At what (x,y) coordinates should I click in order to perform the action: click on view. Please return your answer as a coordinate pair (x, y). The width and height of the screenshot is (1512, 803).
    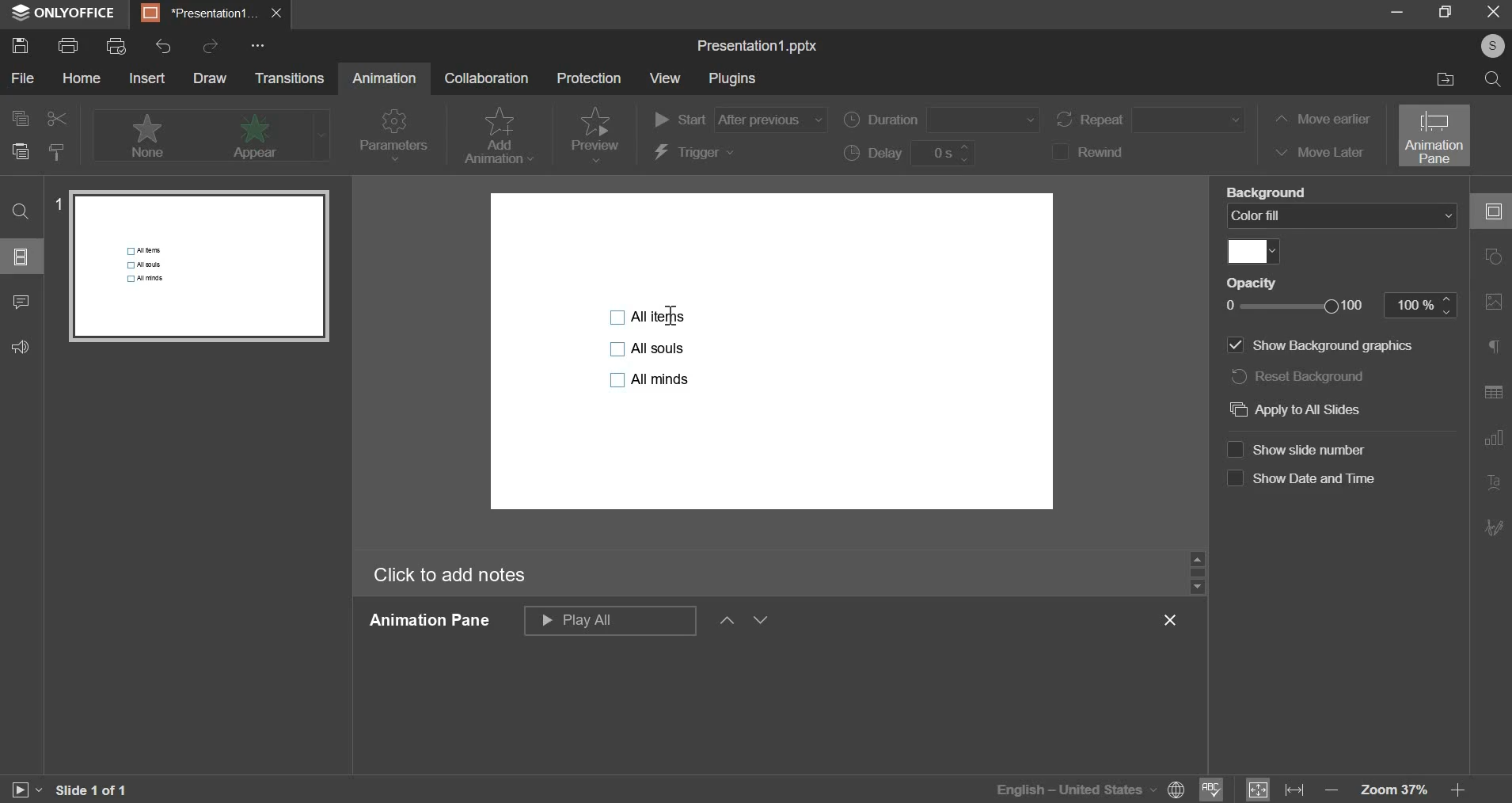
    Looking at the image, I should click on (666, 78).